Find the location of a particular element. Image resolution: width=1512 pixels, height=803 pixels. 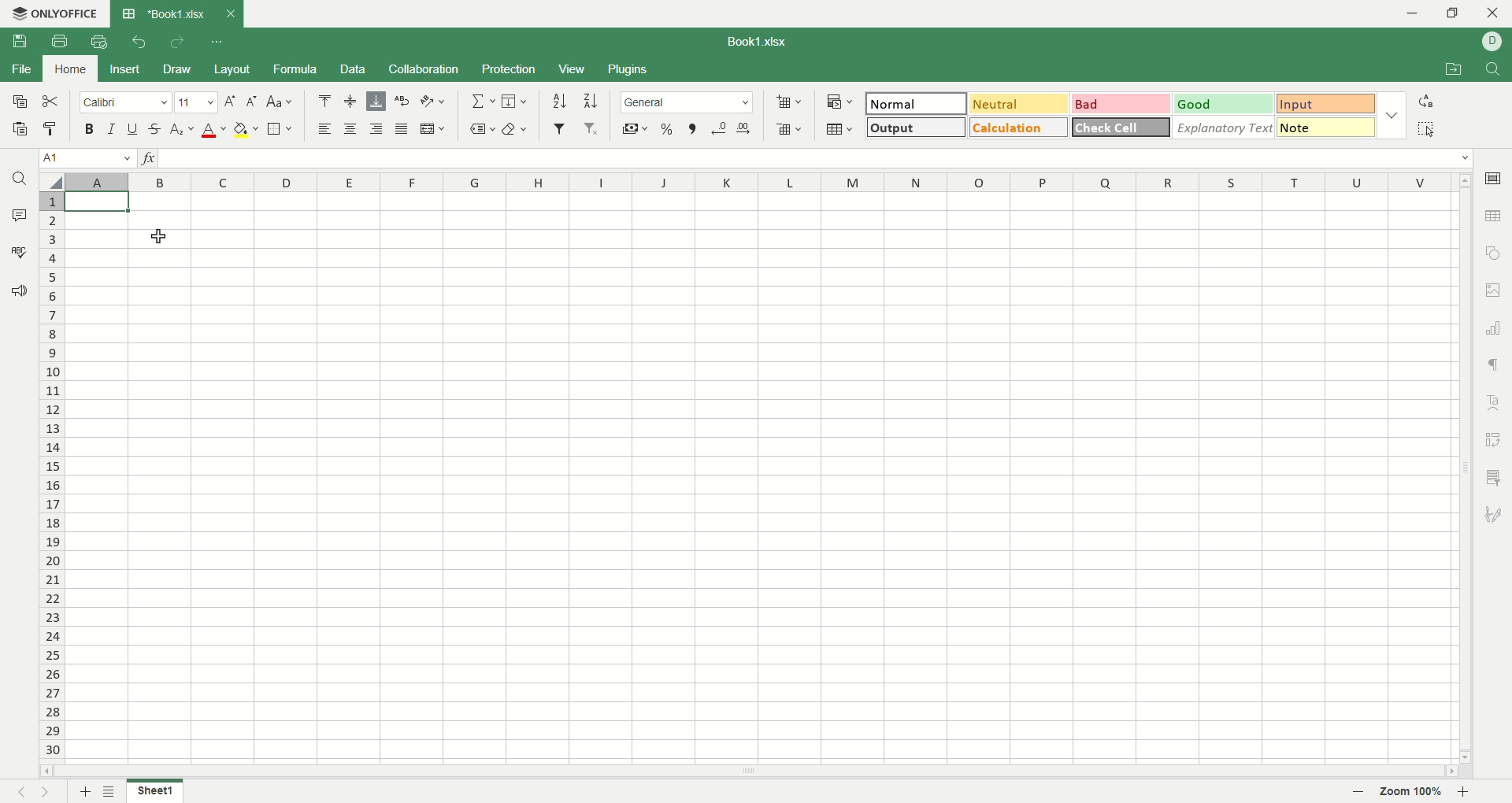

collaboration is located at coordinates (425, 68).